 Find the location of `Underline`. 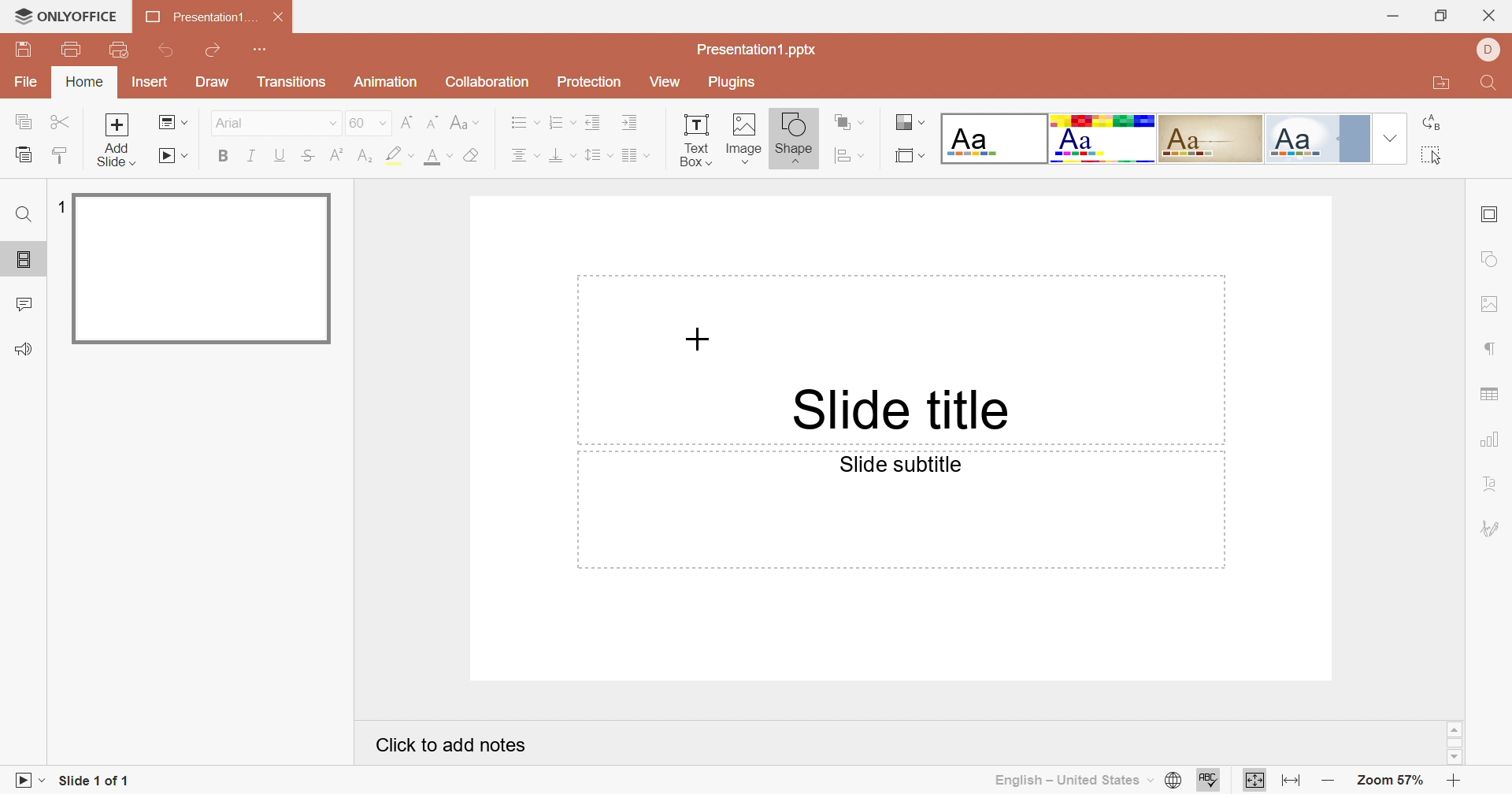

Underline is located at coordinates (280, 157).